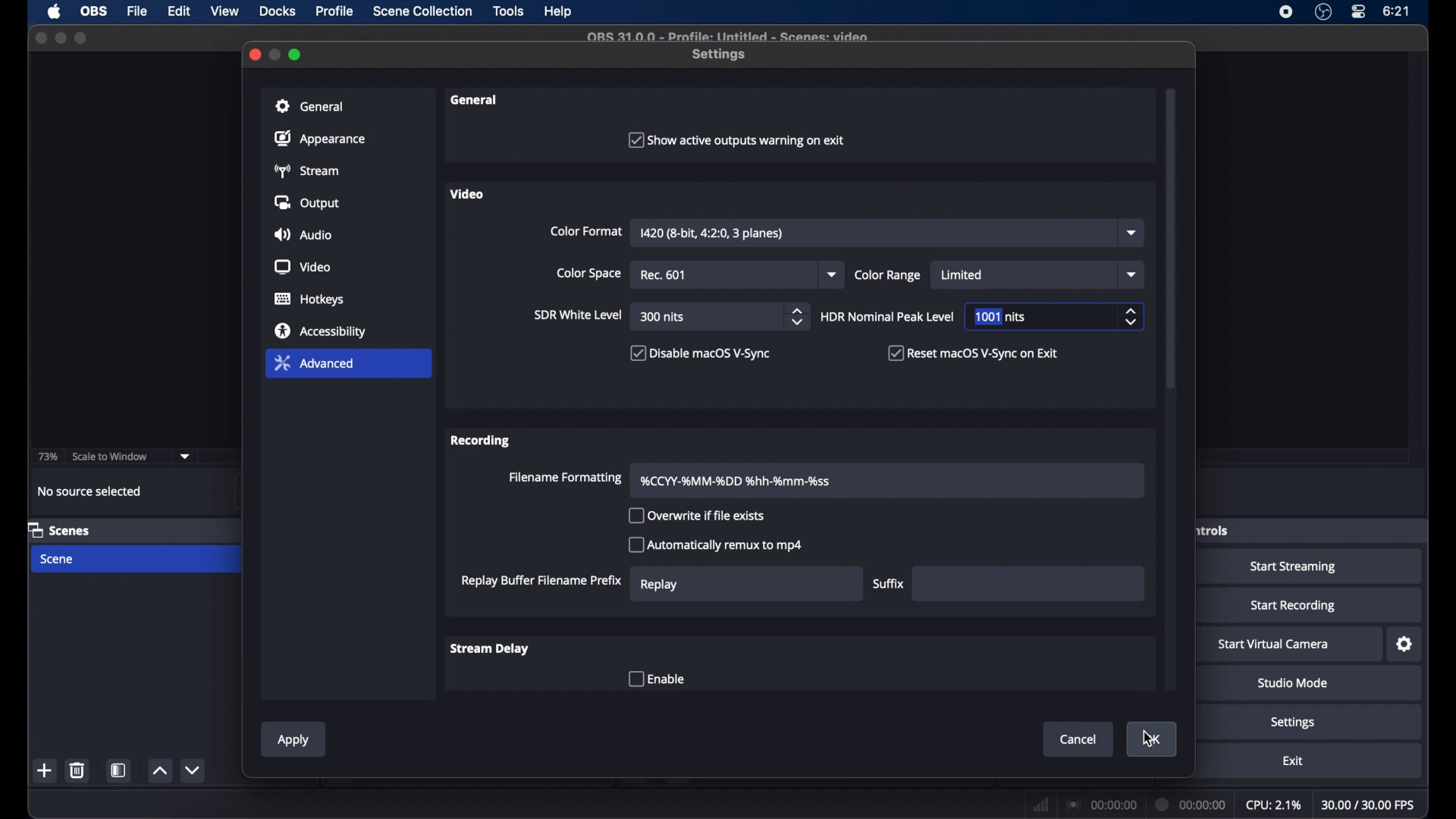 The height and width of the screenshot is (819, 1456). Describe the element at coordinates (658, 585) in the screenshot. I see `replay` at that location.